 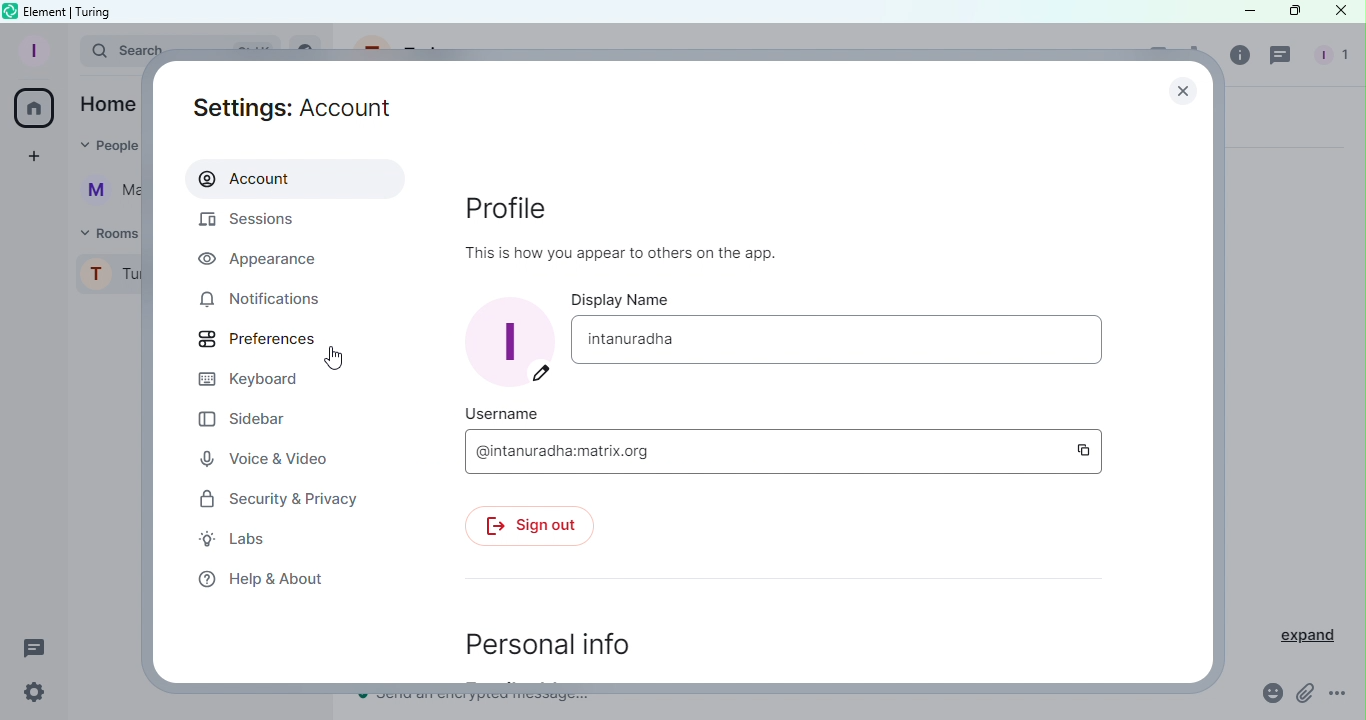 I want to click on Voice and video, so click(x=266, y=458).